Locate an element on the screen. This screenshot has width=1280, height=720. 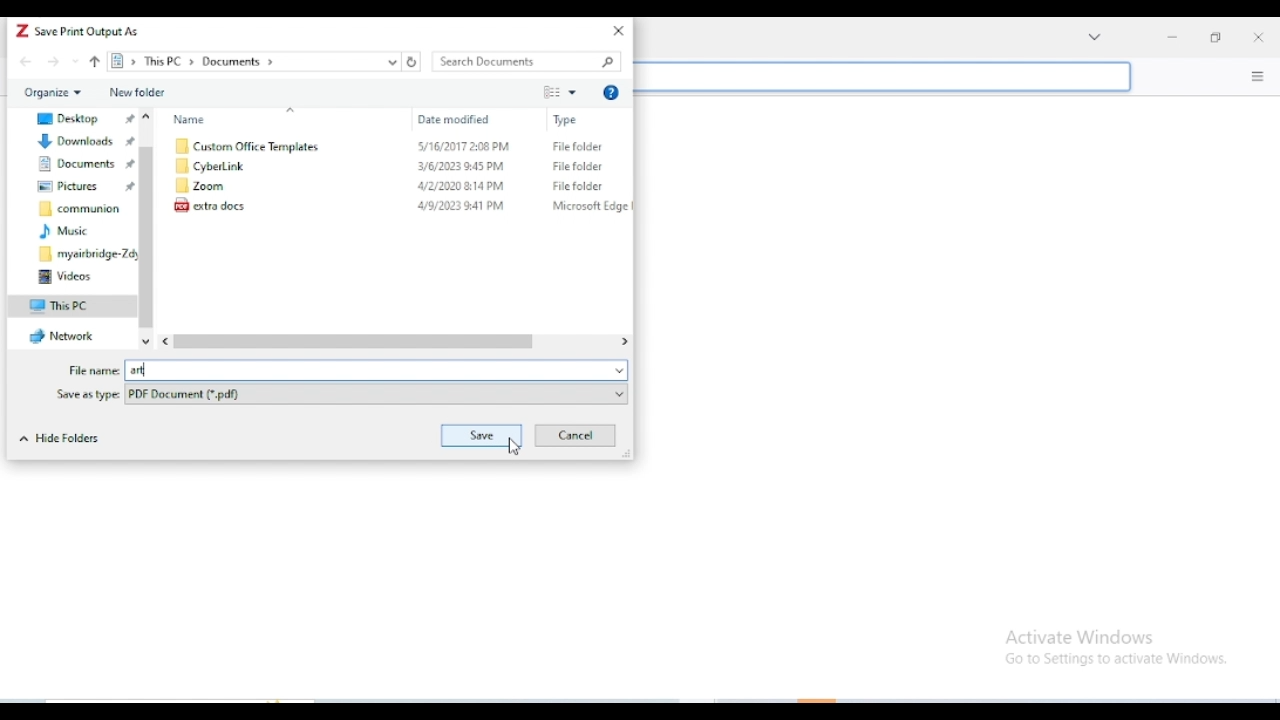
pinned documents is located at coordinates (85, 163).